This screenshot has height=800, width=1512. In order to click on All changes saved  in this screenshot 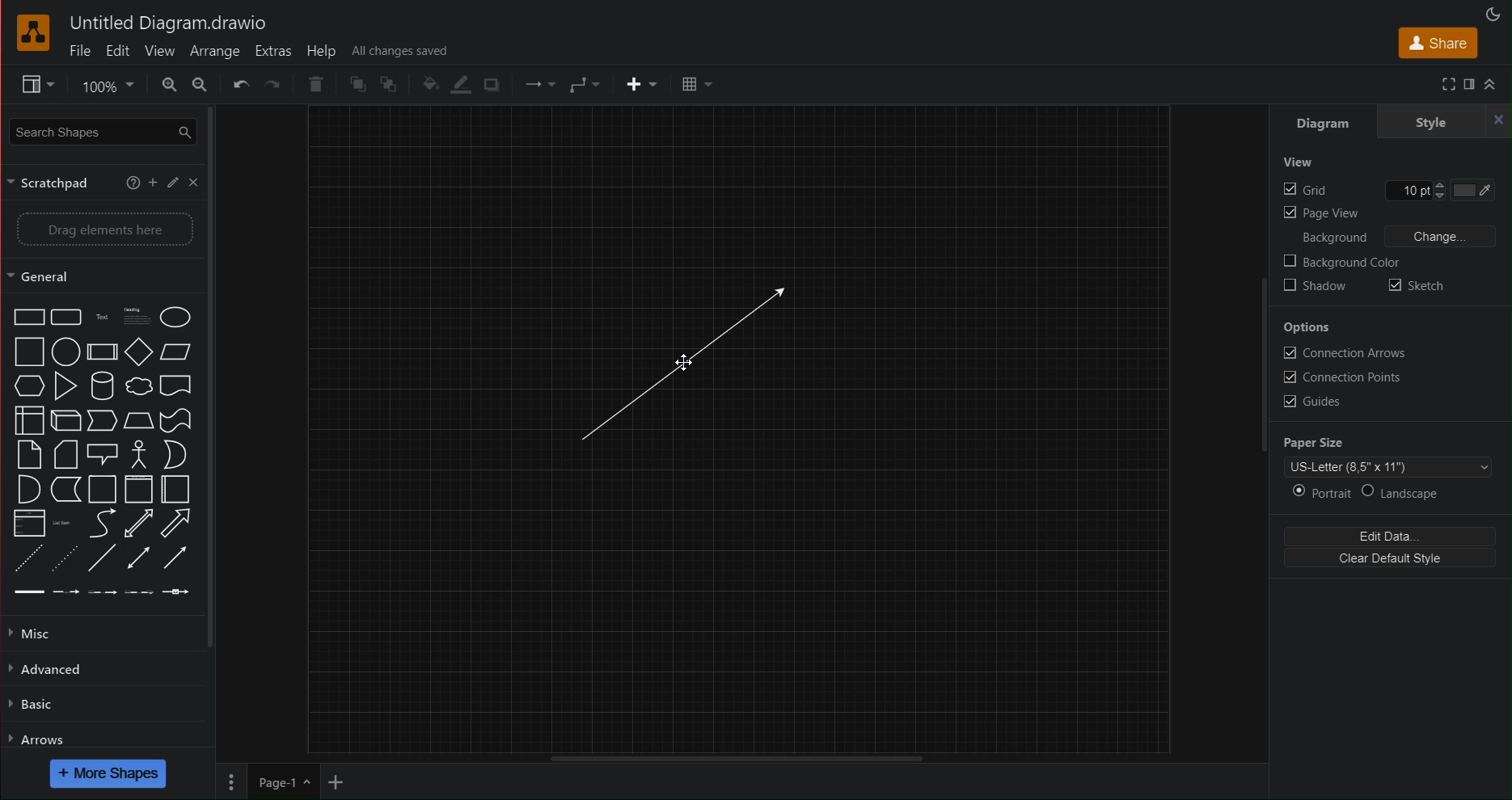, I will do `click(399, 50)`.